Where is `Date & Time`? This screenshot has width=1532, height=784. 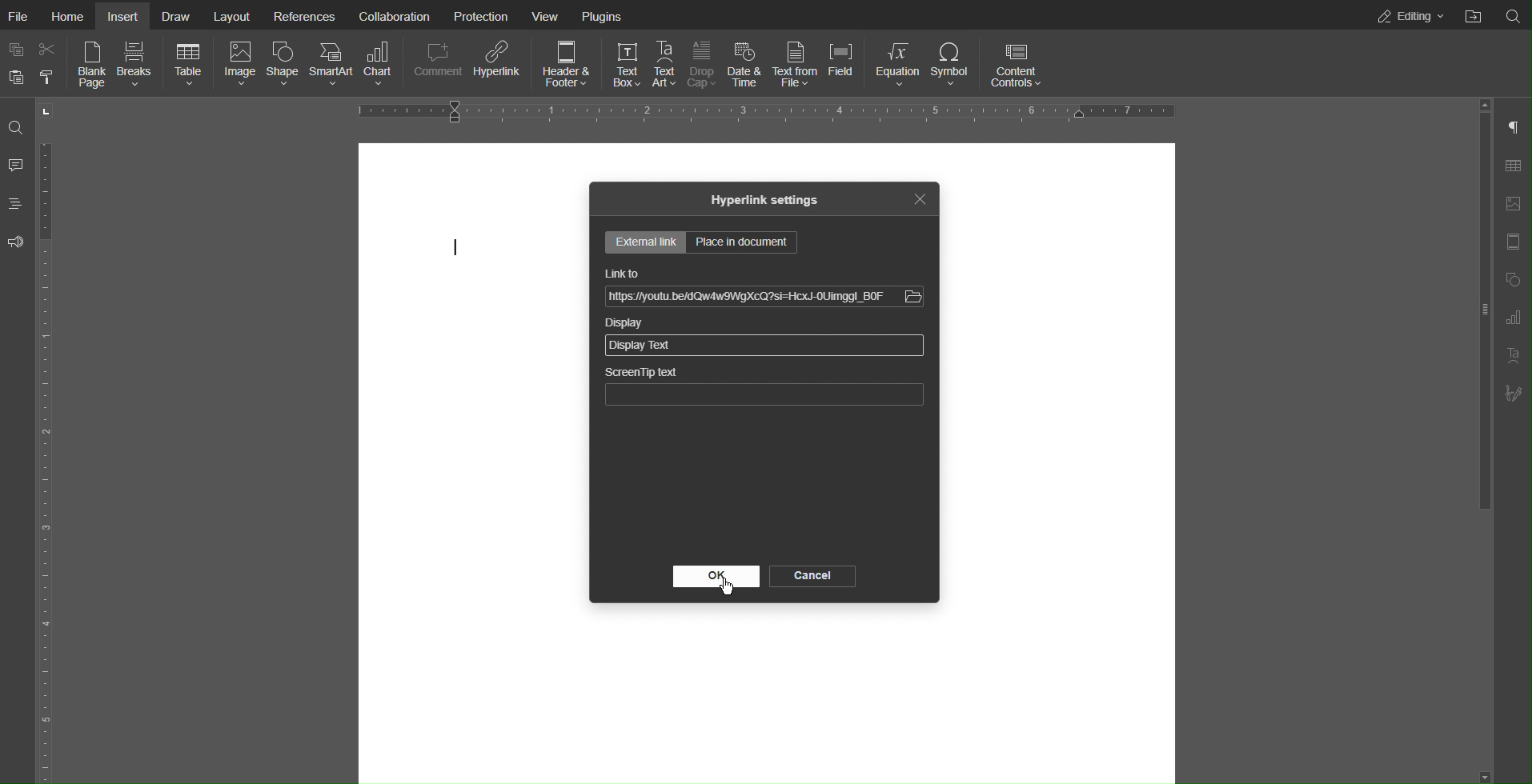 Date & Time is located at coordinates (749, 66).